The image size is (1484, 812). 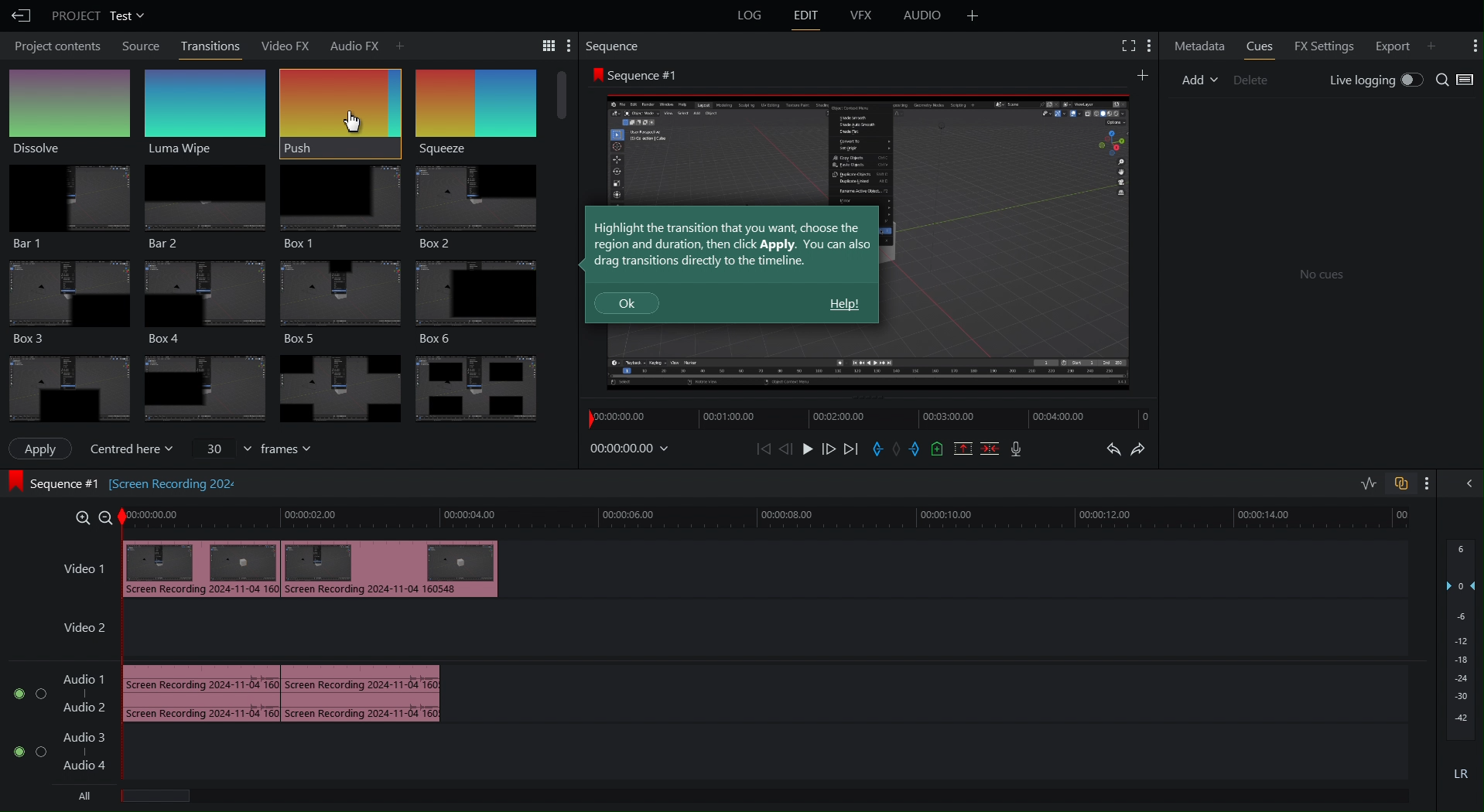 What do you see at coordinates (1473, 44) in the screenshot?
I see `More` at bounding box center [1473, 44].